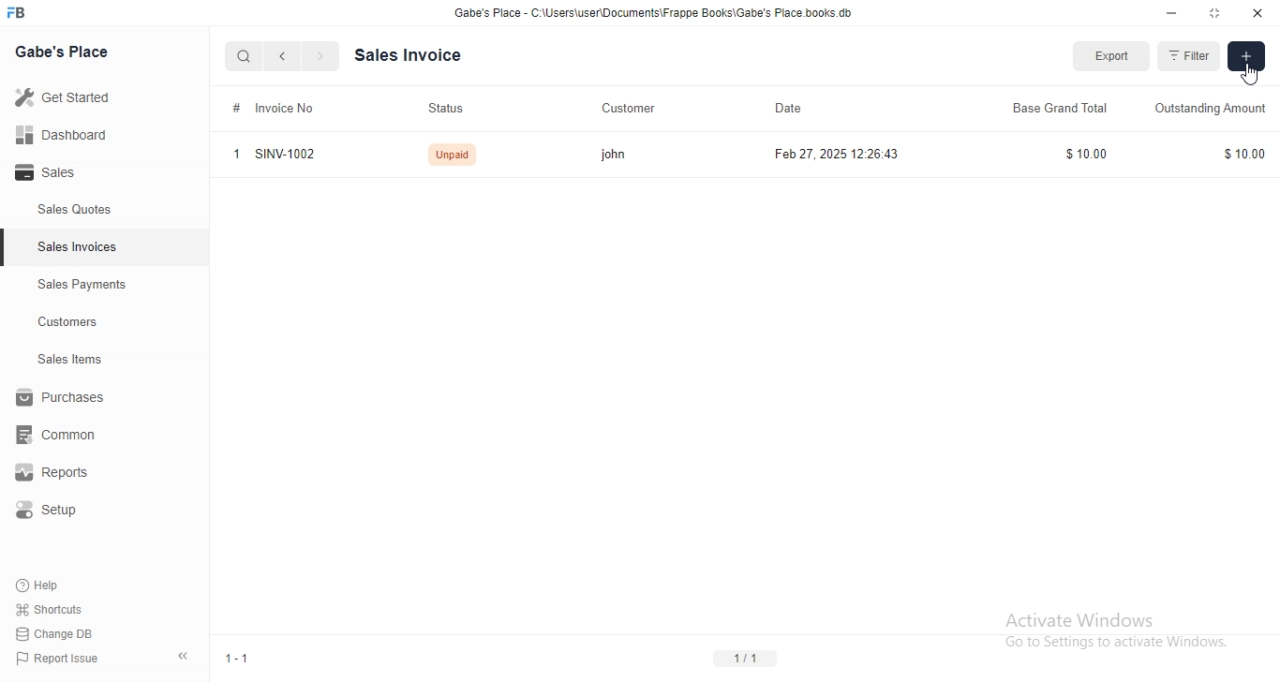  I want to click on ‘Outstanding Amount, so click(1204, 106).